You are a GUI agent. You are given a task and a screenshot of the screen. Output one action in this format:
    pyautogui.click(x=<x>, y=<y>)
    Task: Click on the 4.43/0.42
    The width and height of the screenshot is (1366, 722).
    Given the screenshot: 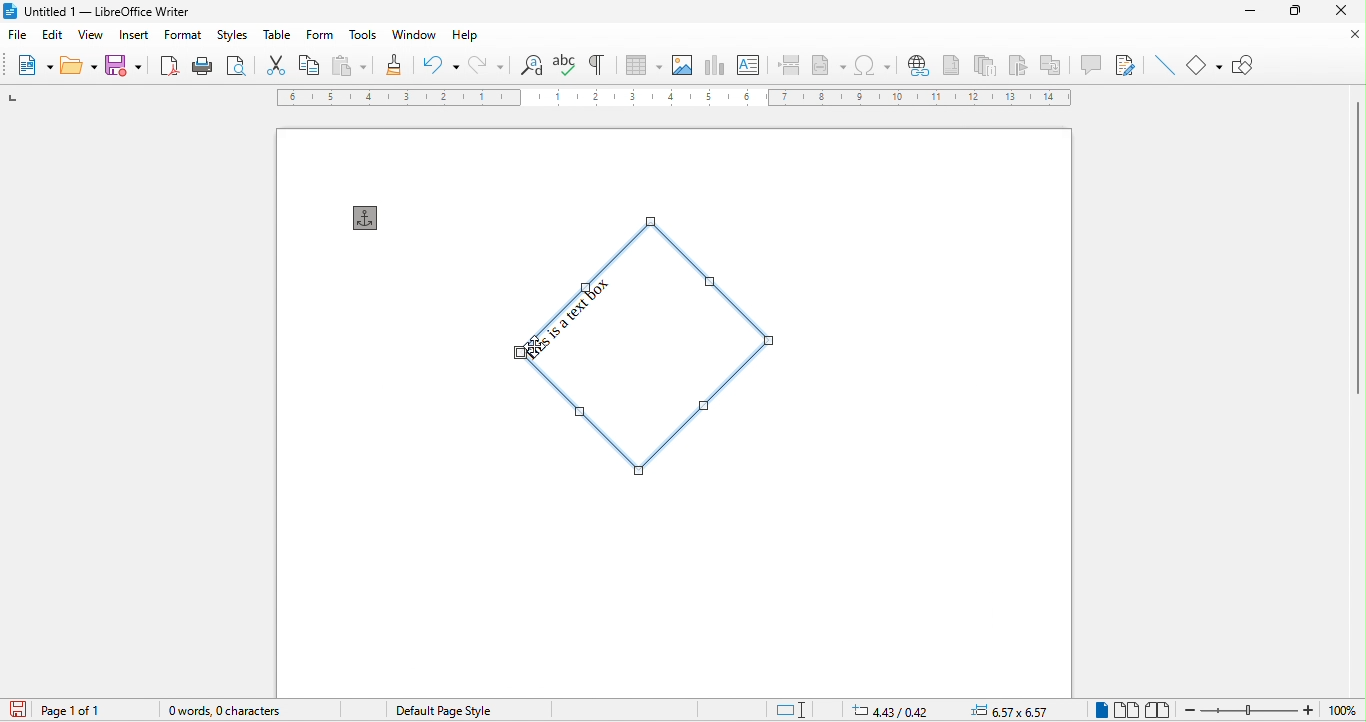 What is the action you would take?
    pyautogui.click(x=885, y=710)
    